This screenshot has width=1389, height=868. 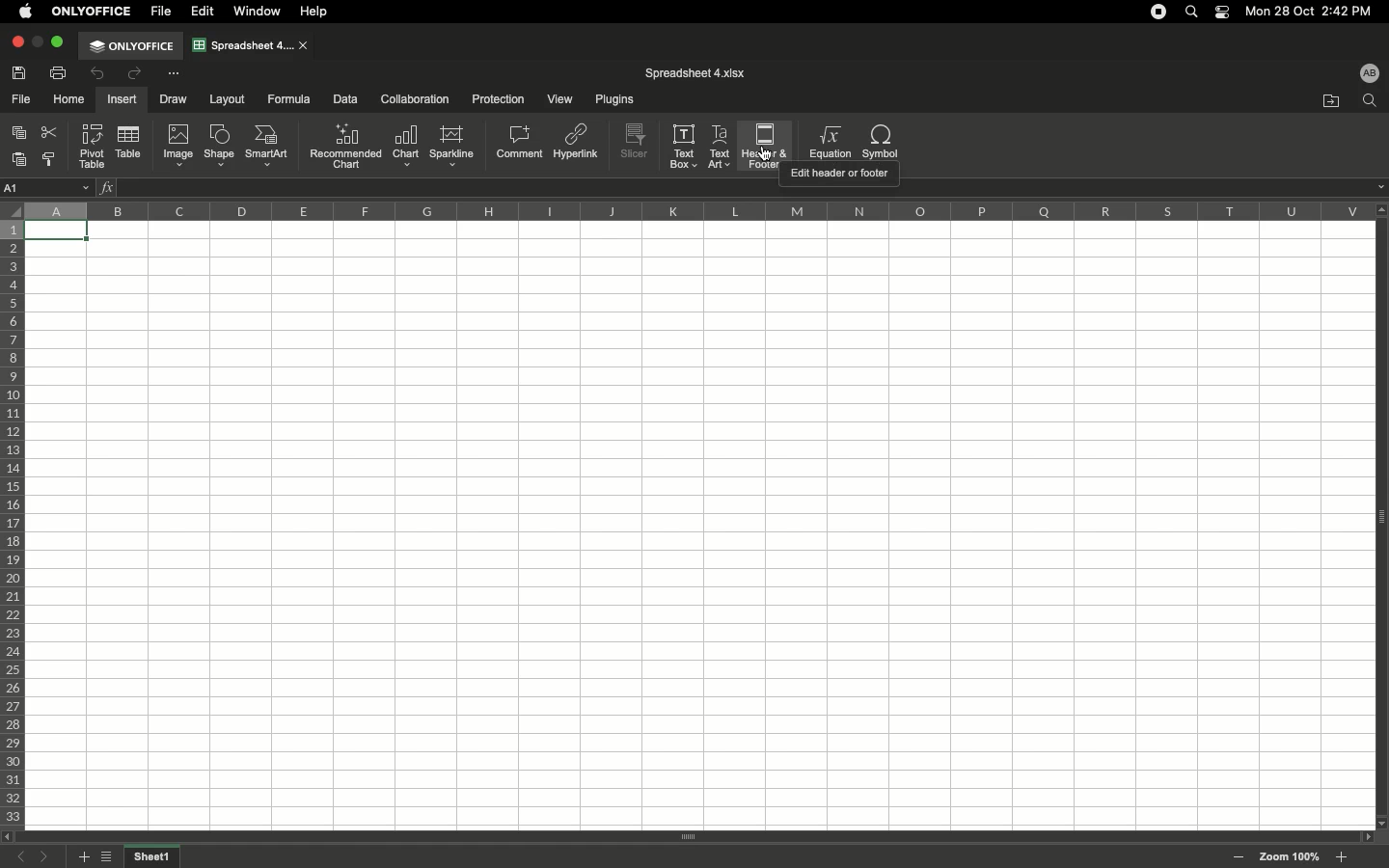 What do you see at coordinates (22, 100) in the screenshot?
I see `File` at bounding box center [22, 100].